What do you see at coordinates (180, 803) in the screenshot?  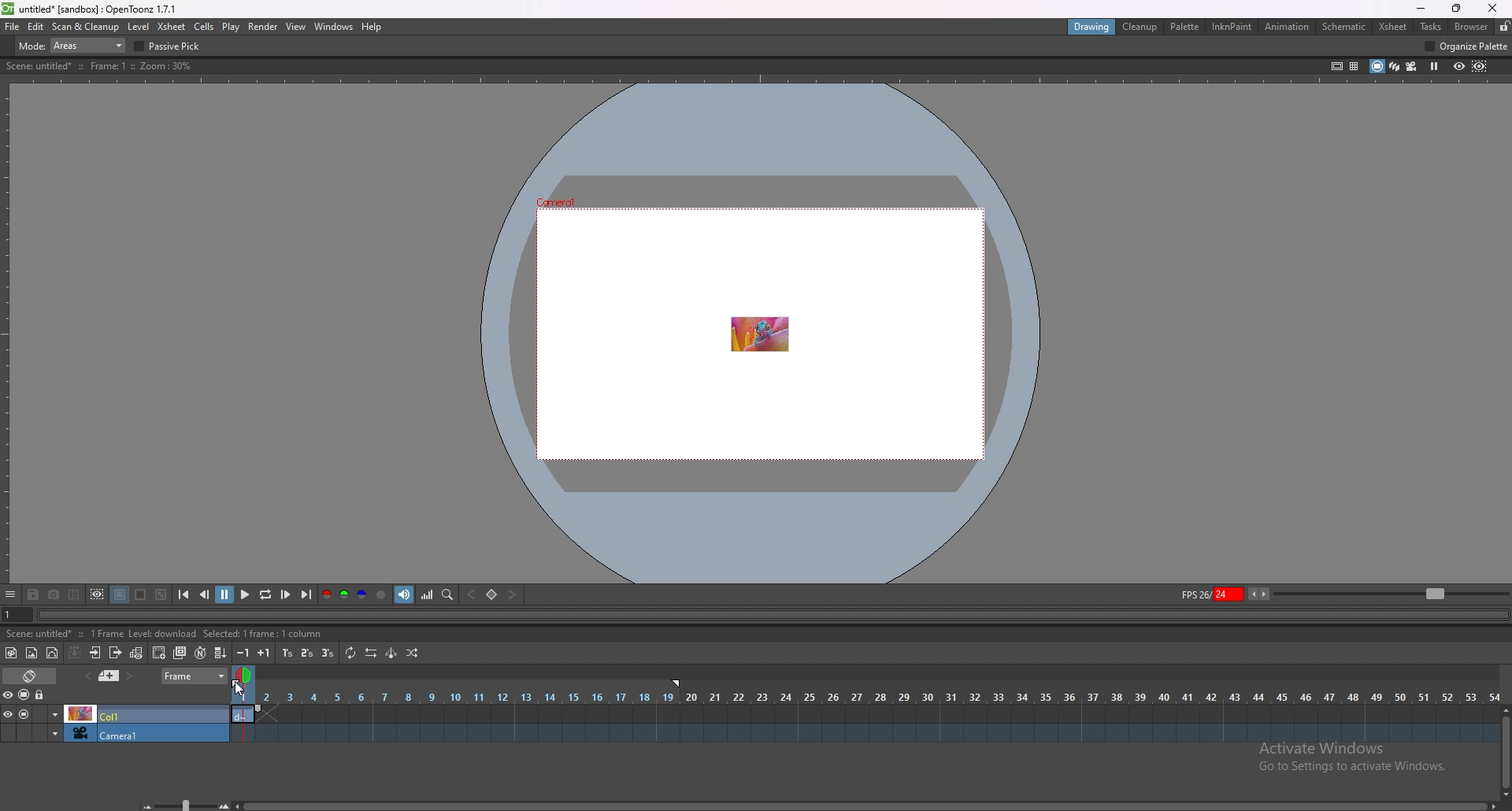 I see `zoom` at bounding box center [180, 803].